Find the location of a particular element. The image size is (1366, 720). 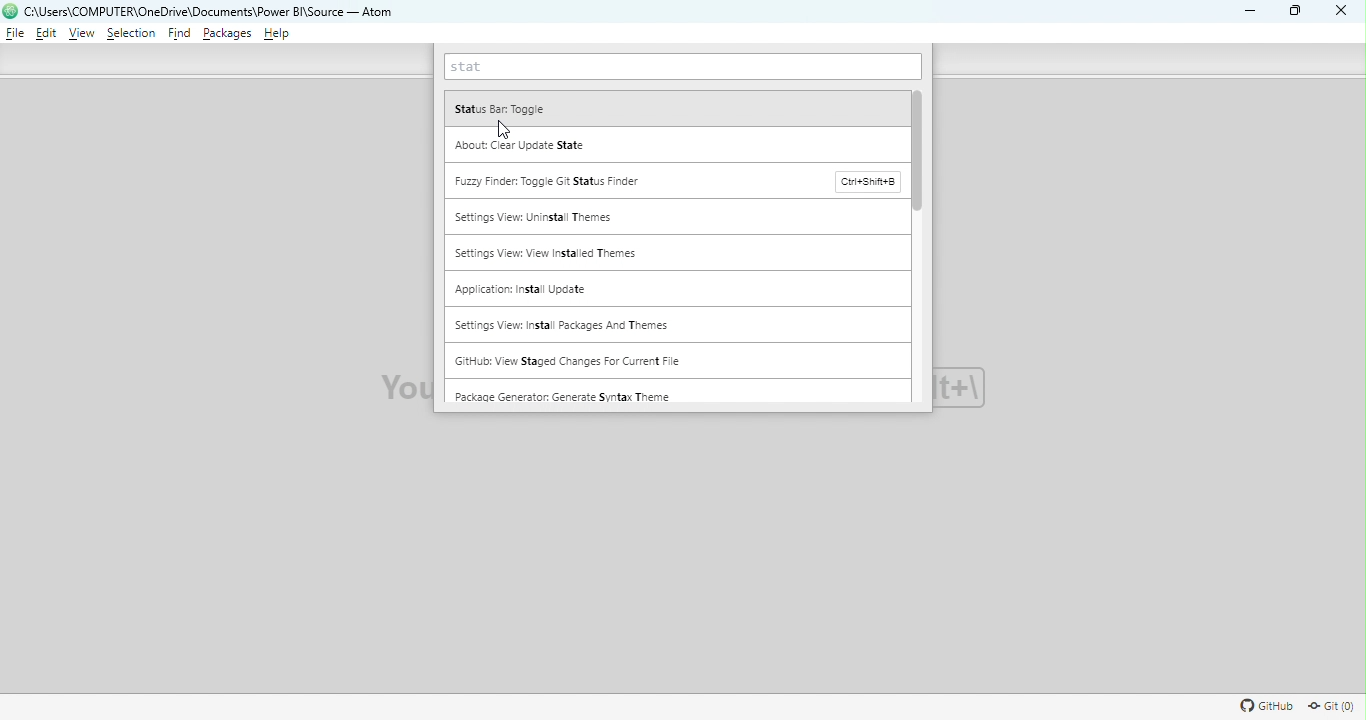

Search bar is located at coordinates (682, 67).